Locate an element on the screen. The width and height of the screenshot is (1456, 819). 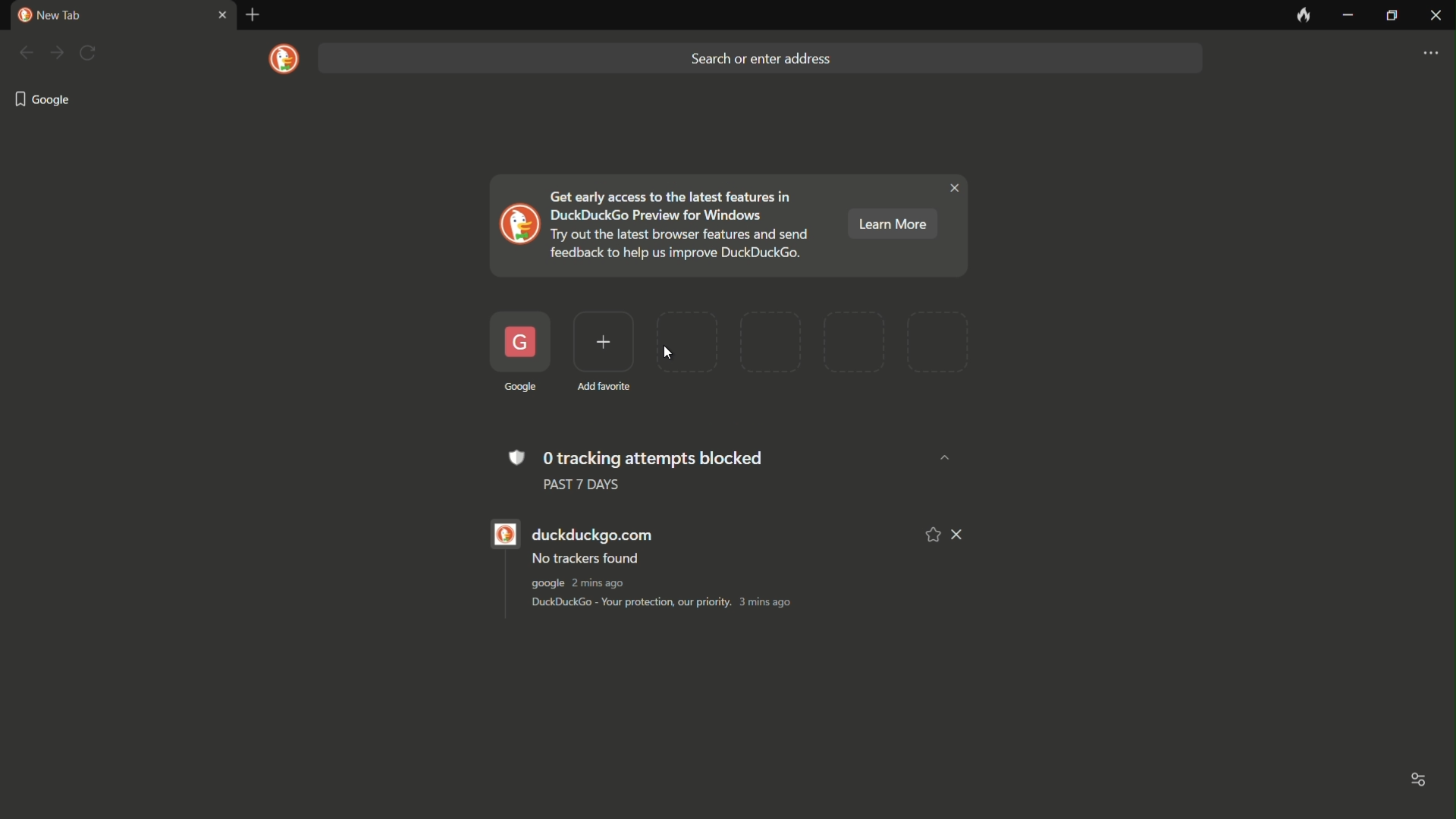
new tab is located at coordinates (49, 15).